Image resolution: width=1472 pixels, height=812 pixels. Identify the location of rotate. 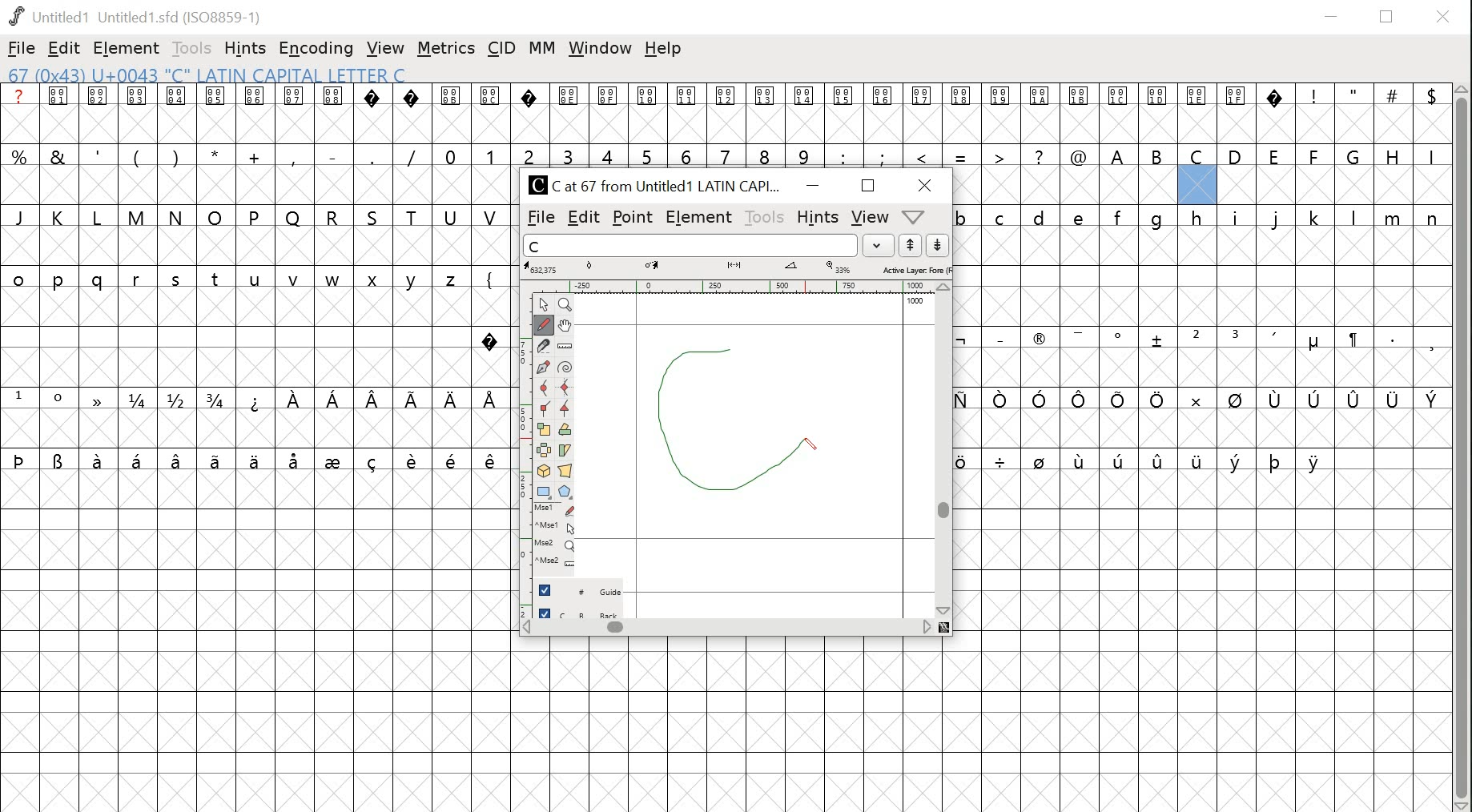
(566, 430).